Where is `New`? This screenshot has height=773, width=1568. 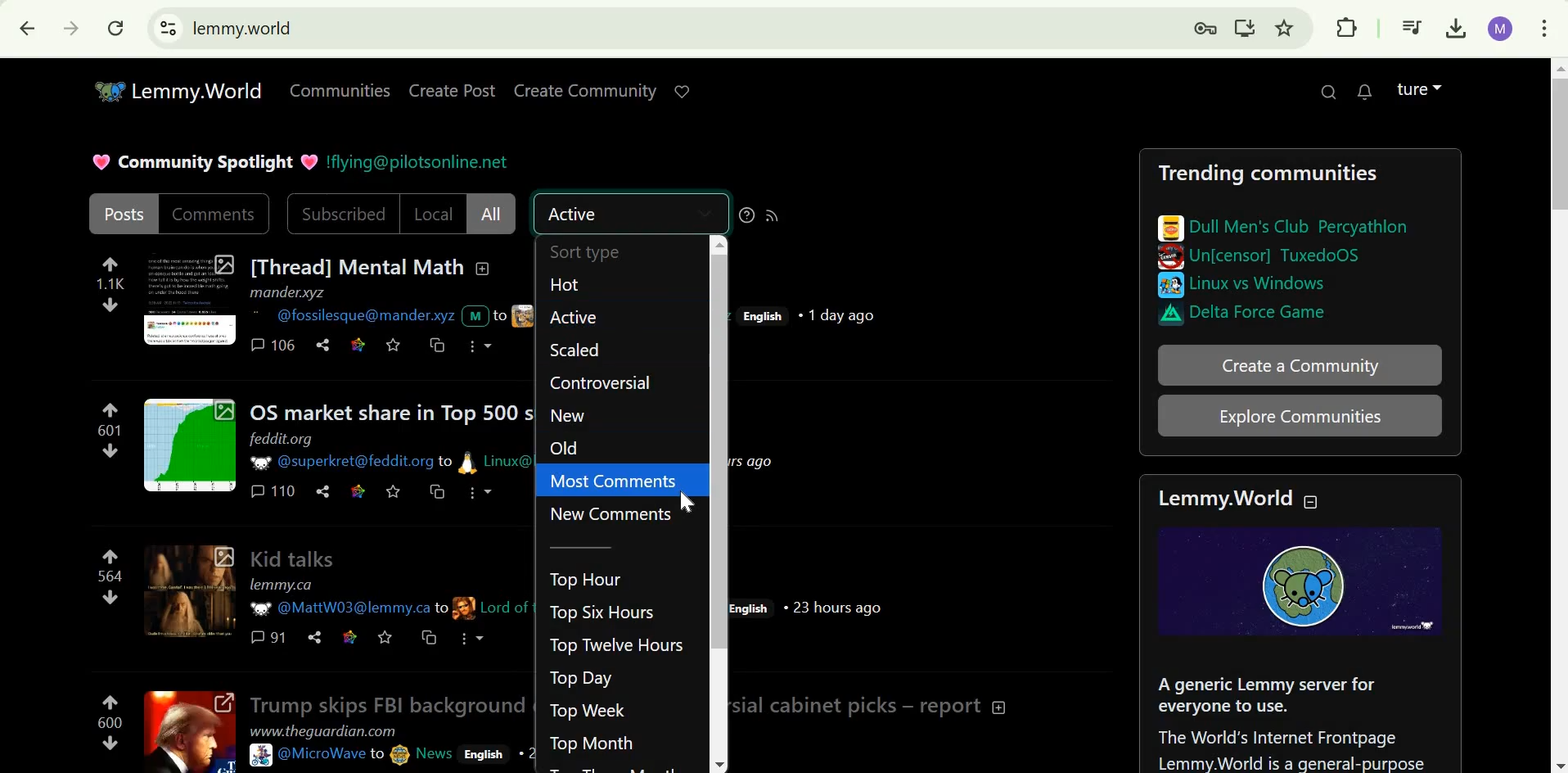
New is located at coordinates (572, 417).